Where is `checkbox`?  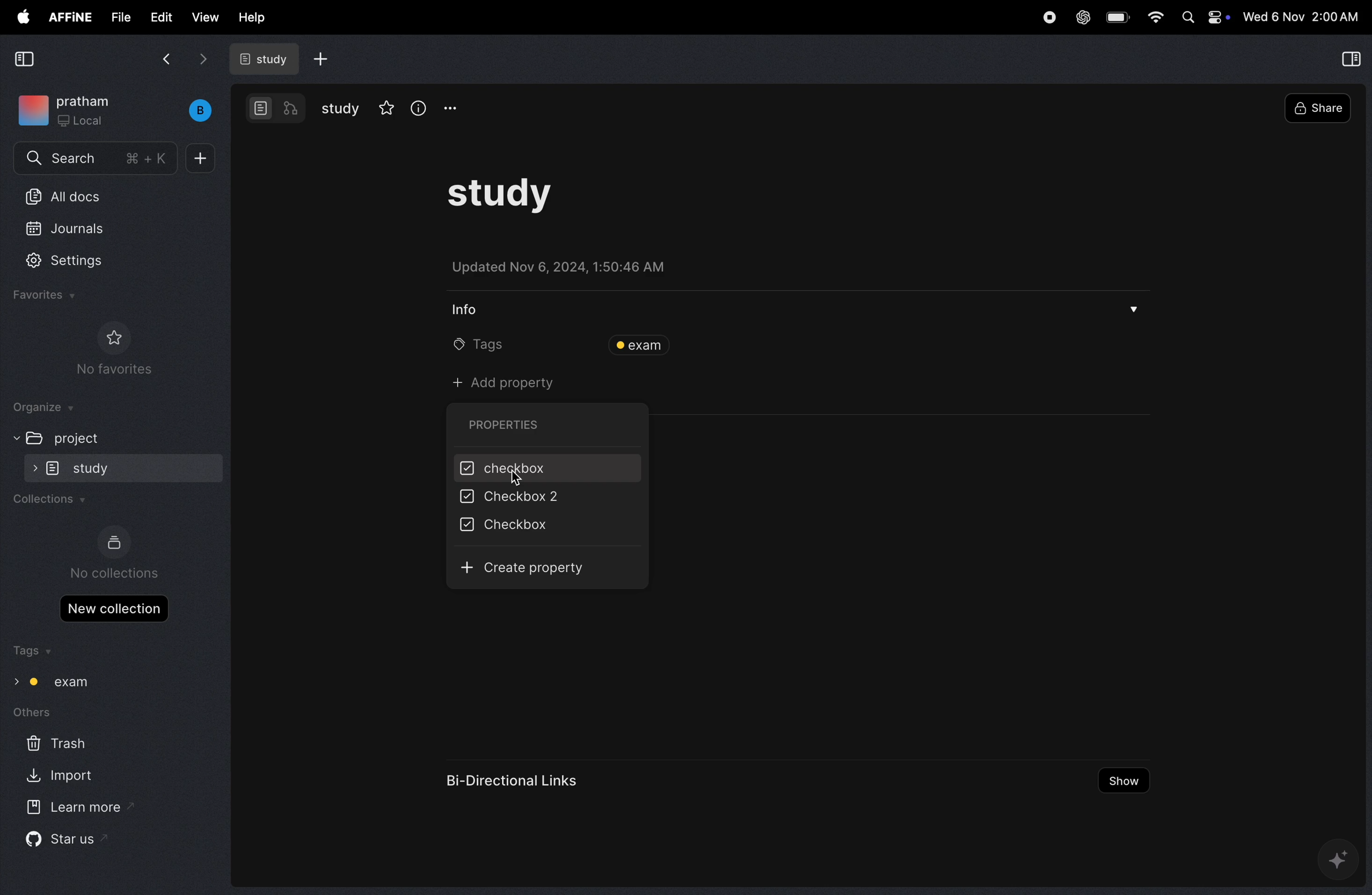 checkbox is located at coordinates (541, 497).